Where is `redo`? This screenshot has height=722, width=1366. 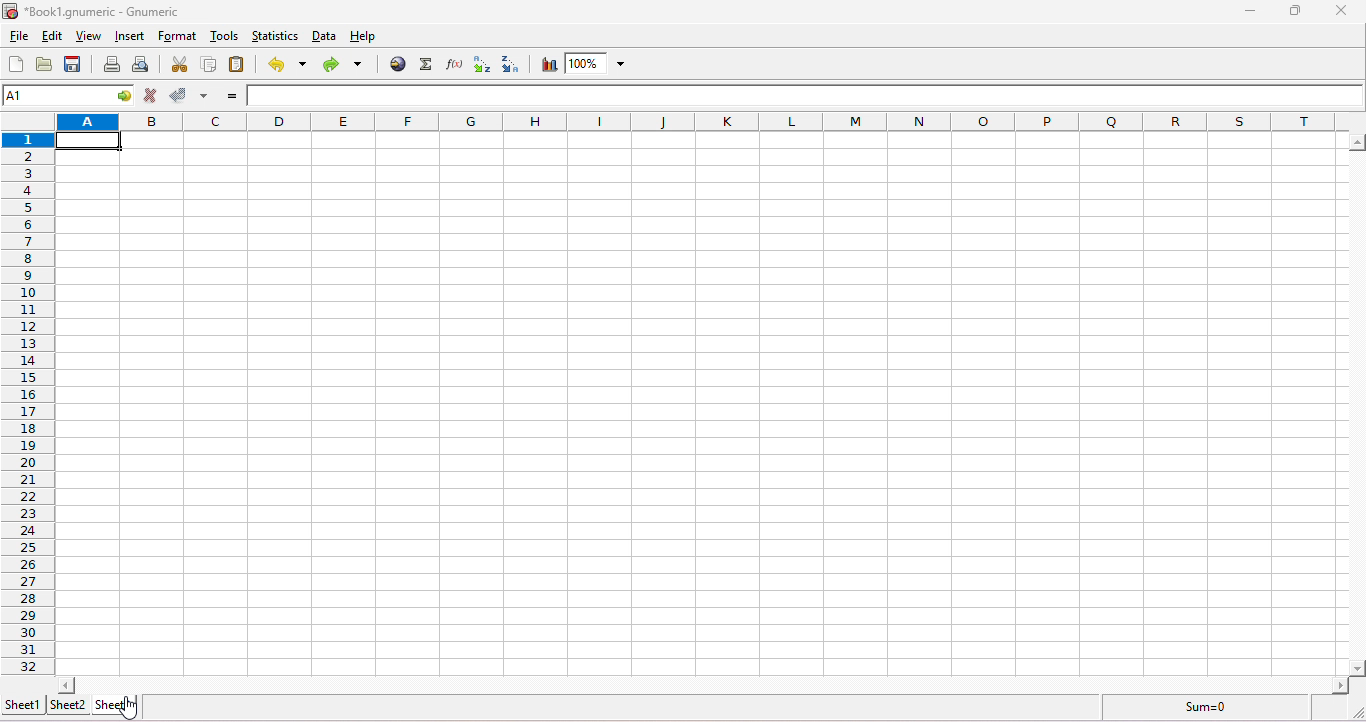
redo is located at coordinates (342, 61).